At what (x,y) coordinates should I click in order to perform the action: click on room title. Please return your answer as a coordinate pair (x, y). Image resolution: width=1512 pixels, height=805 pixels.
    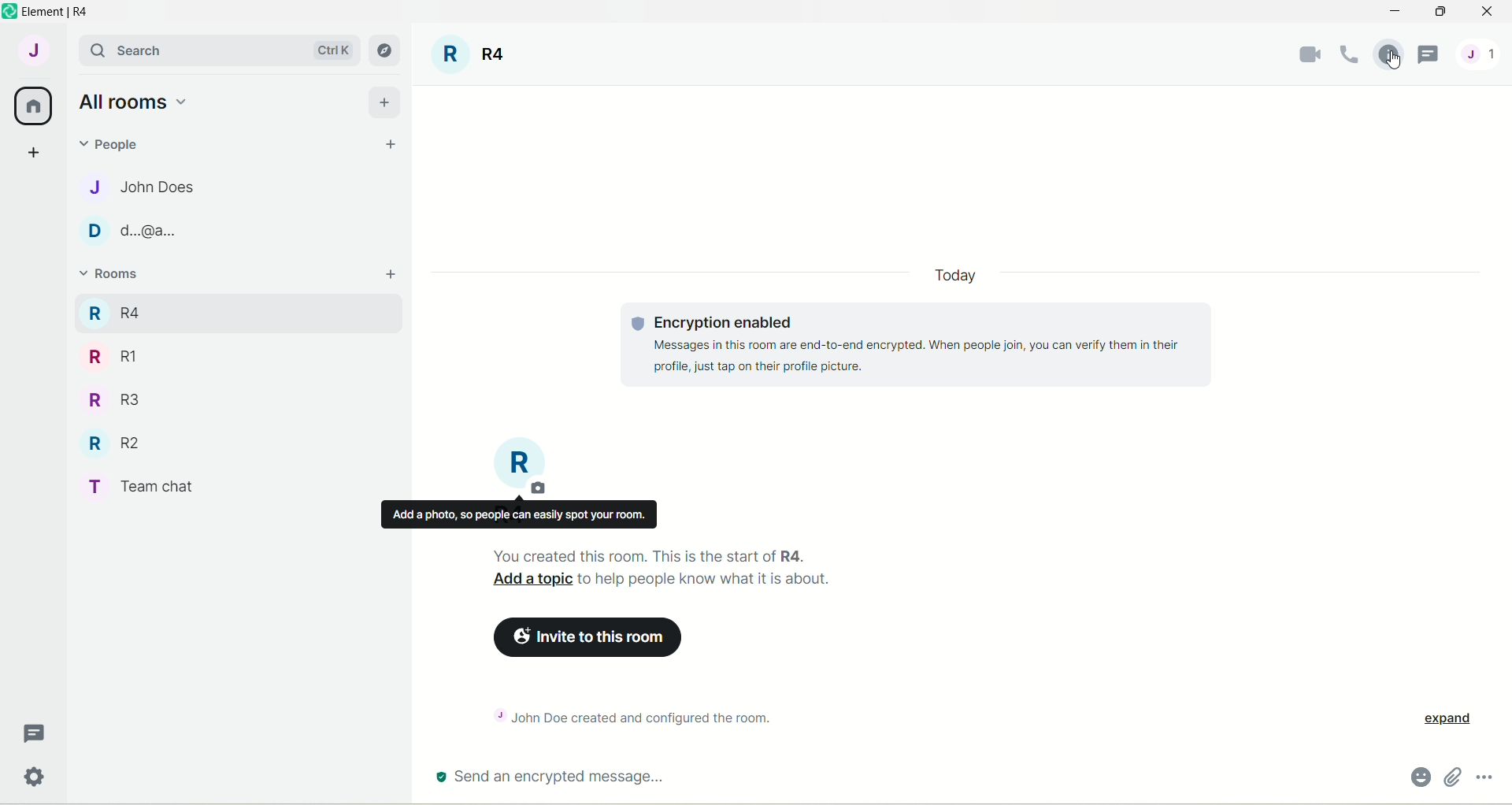
    Looking at the image, I should click on (471, 57).